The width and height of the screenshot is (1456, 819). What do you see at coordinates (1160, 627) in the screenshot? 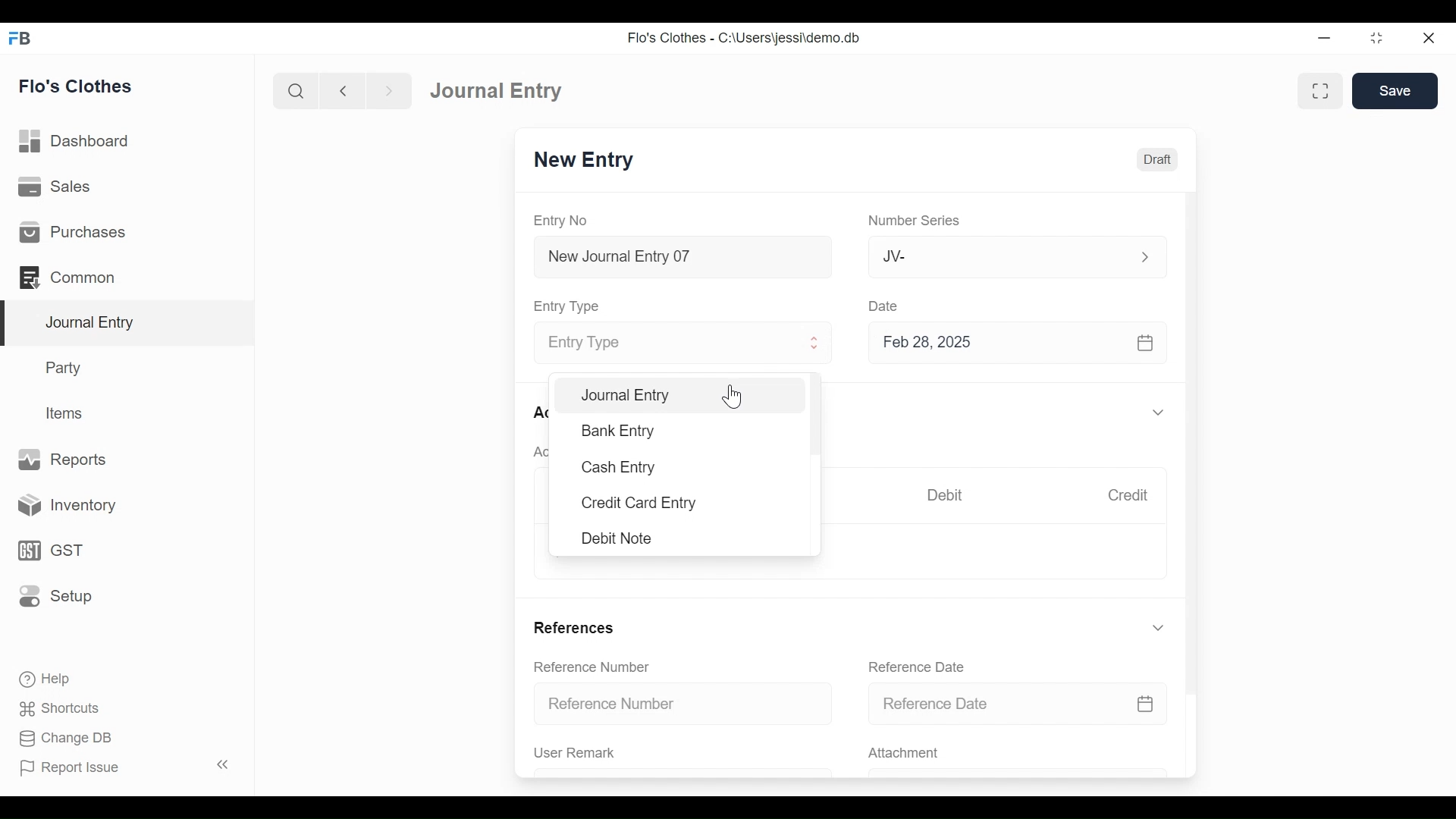
I see `Expand` at bounding box center [1160, 627].